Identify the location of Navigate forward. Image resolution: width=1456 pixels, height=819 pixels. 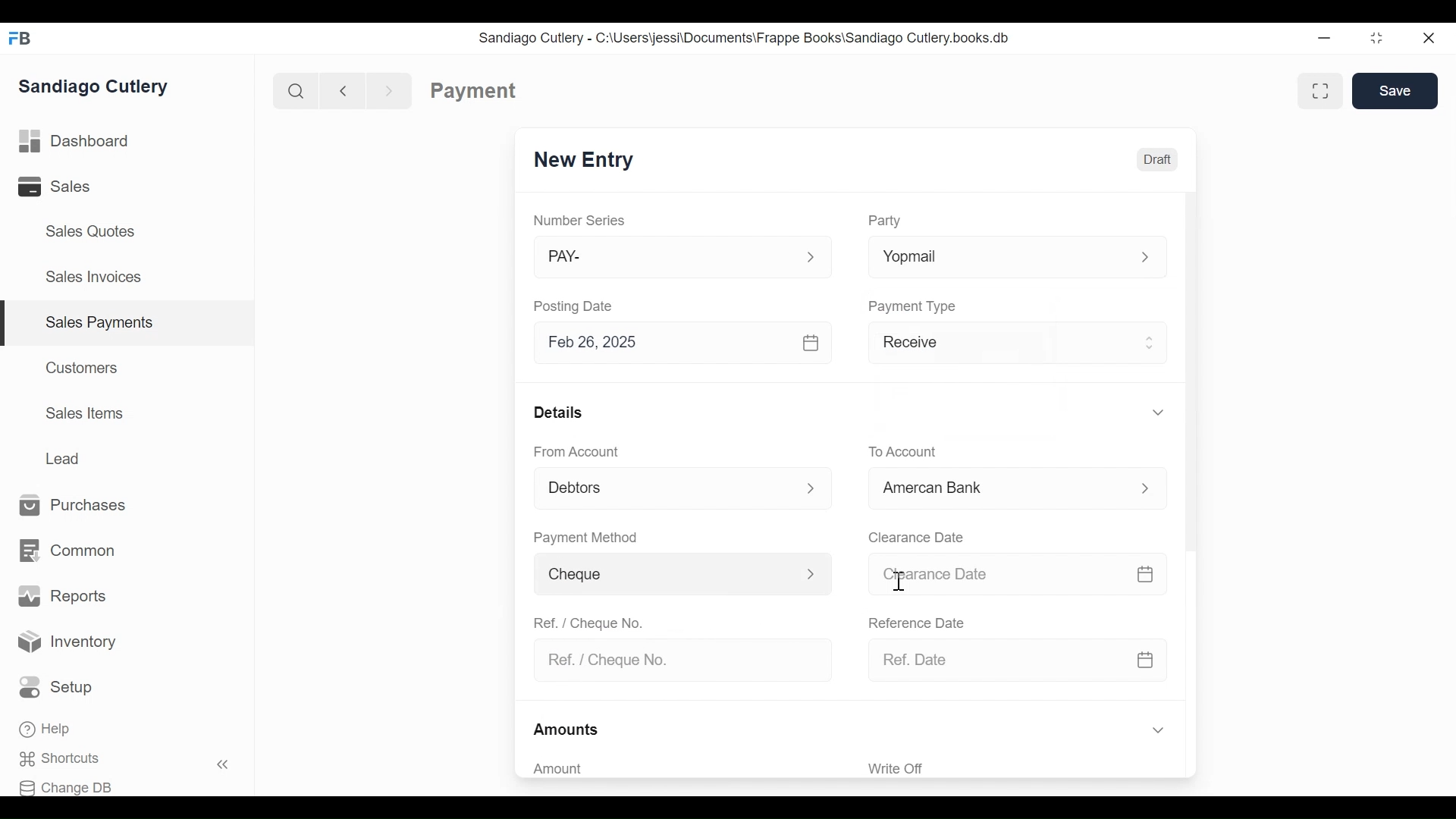
(390, 89).